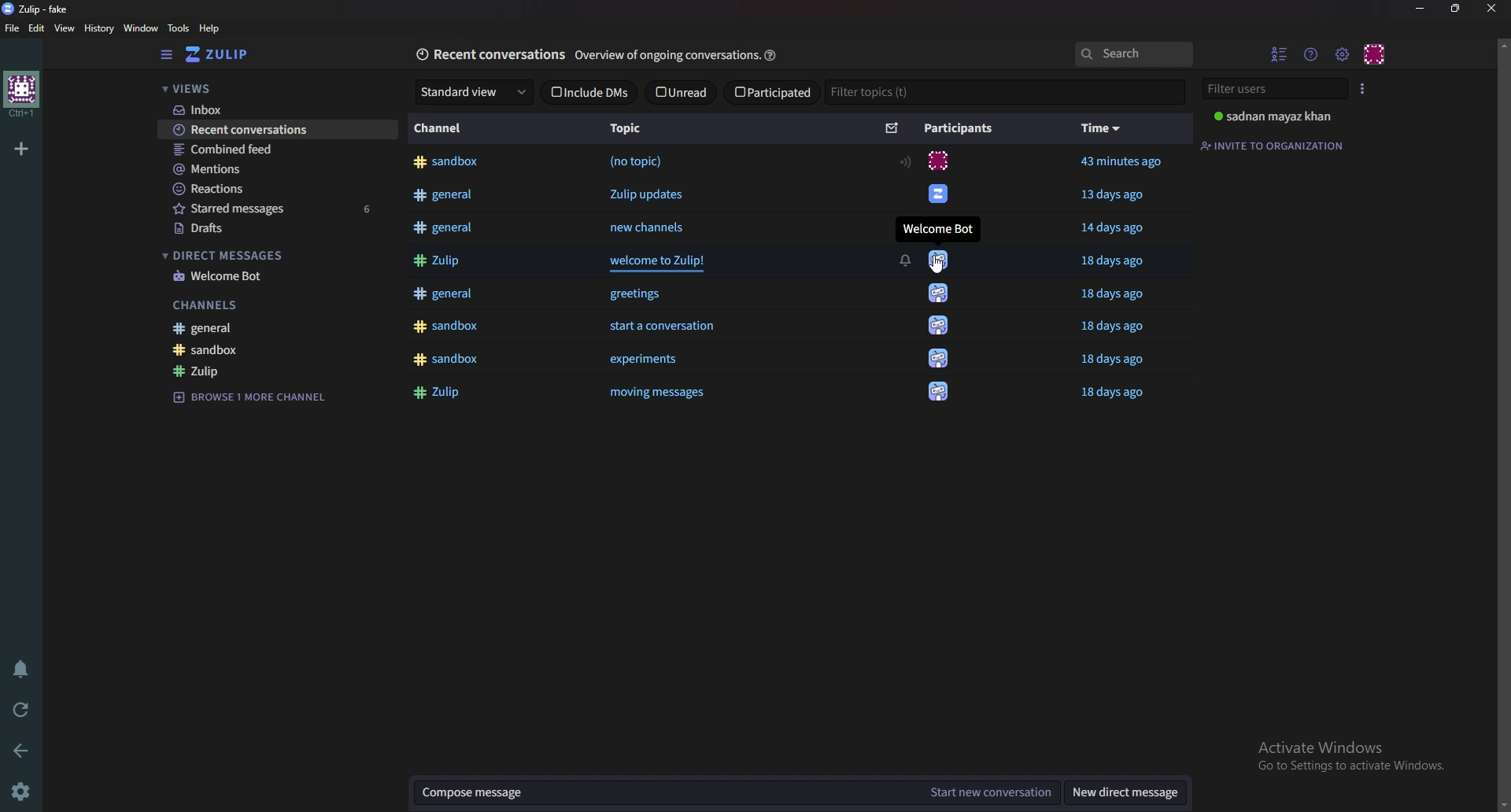  I want to click on Starred messages, so click(283, 208).